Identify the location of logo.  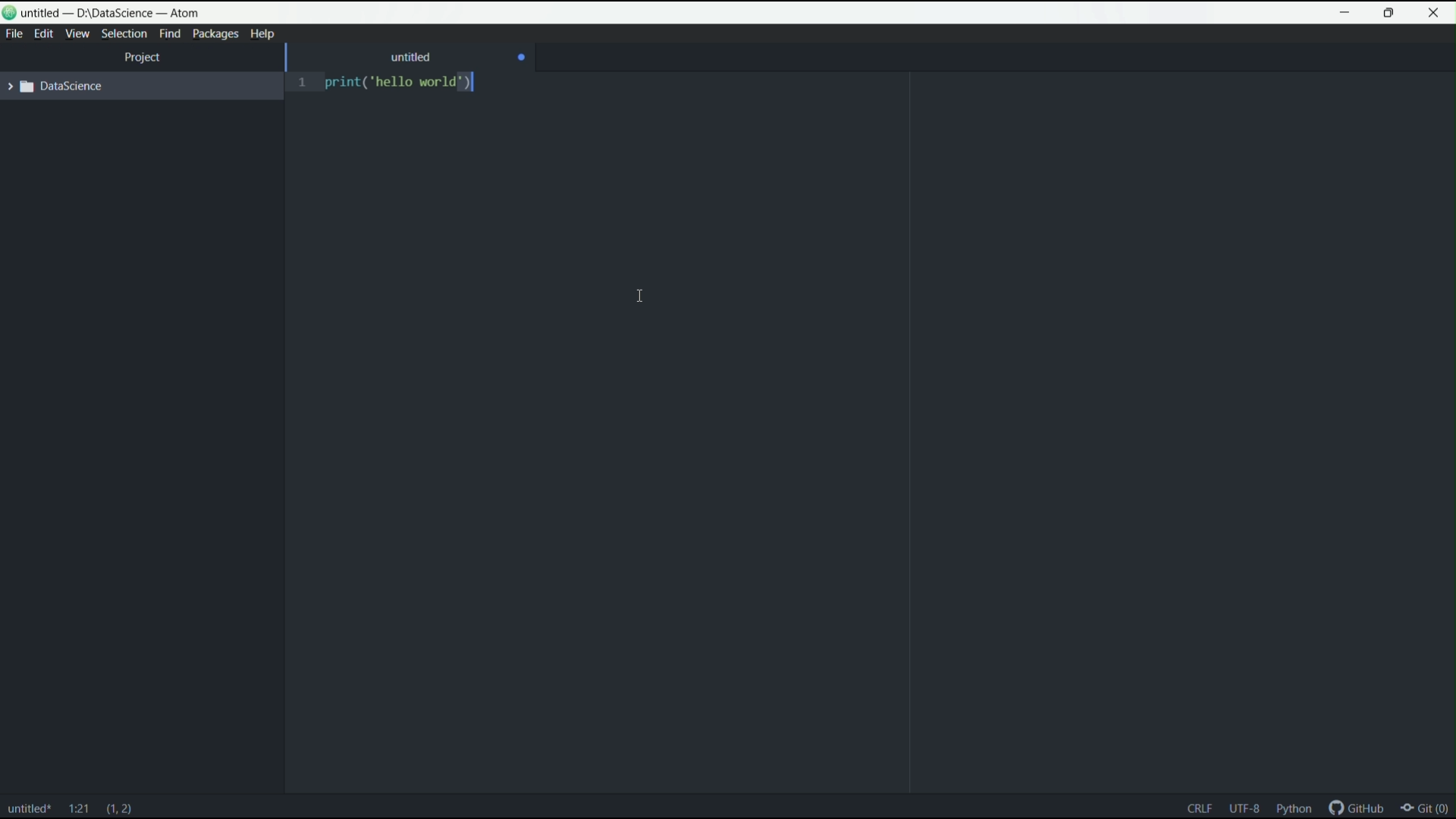
(11, 13).